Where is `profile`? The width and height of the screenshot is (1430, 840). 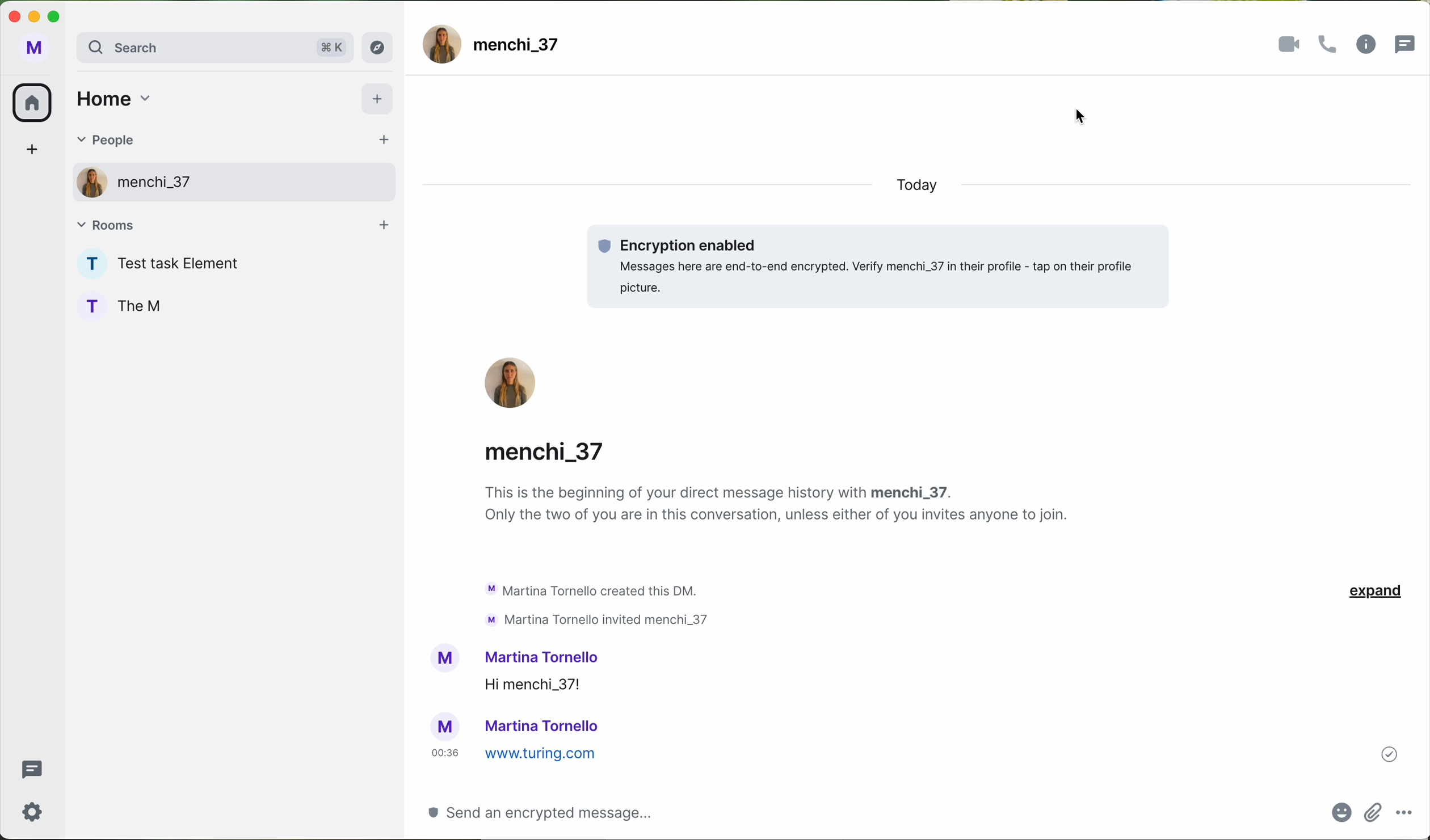
profile is located at coordinates (89, 304).